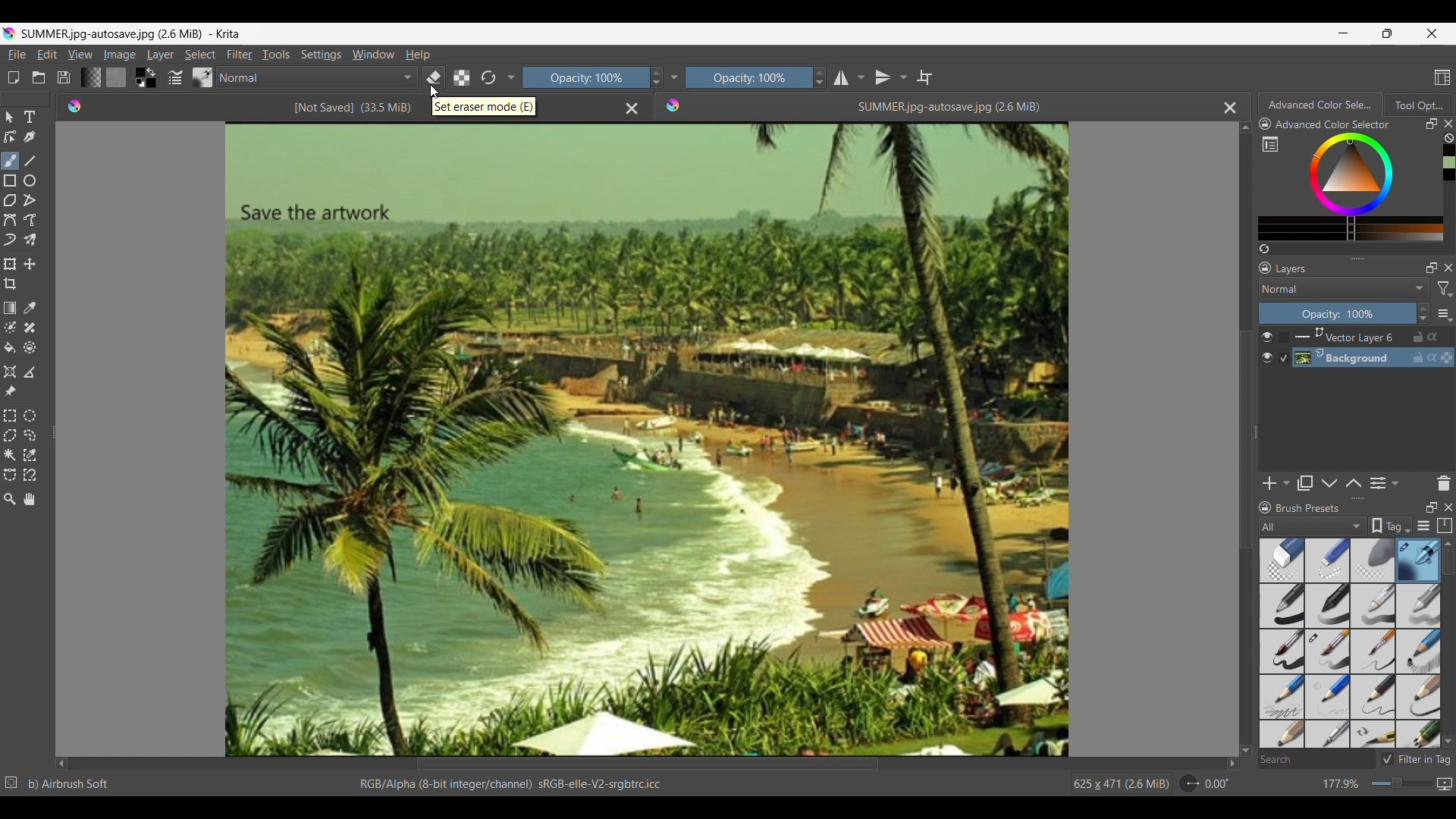 This screenshot has height=819, width=1456. Describe the element at coordinates (1310, 509) in the screenshot. I see `Brush Presets` at that location.